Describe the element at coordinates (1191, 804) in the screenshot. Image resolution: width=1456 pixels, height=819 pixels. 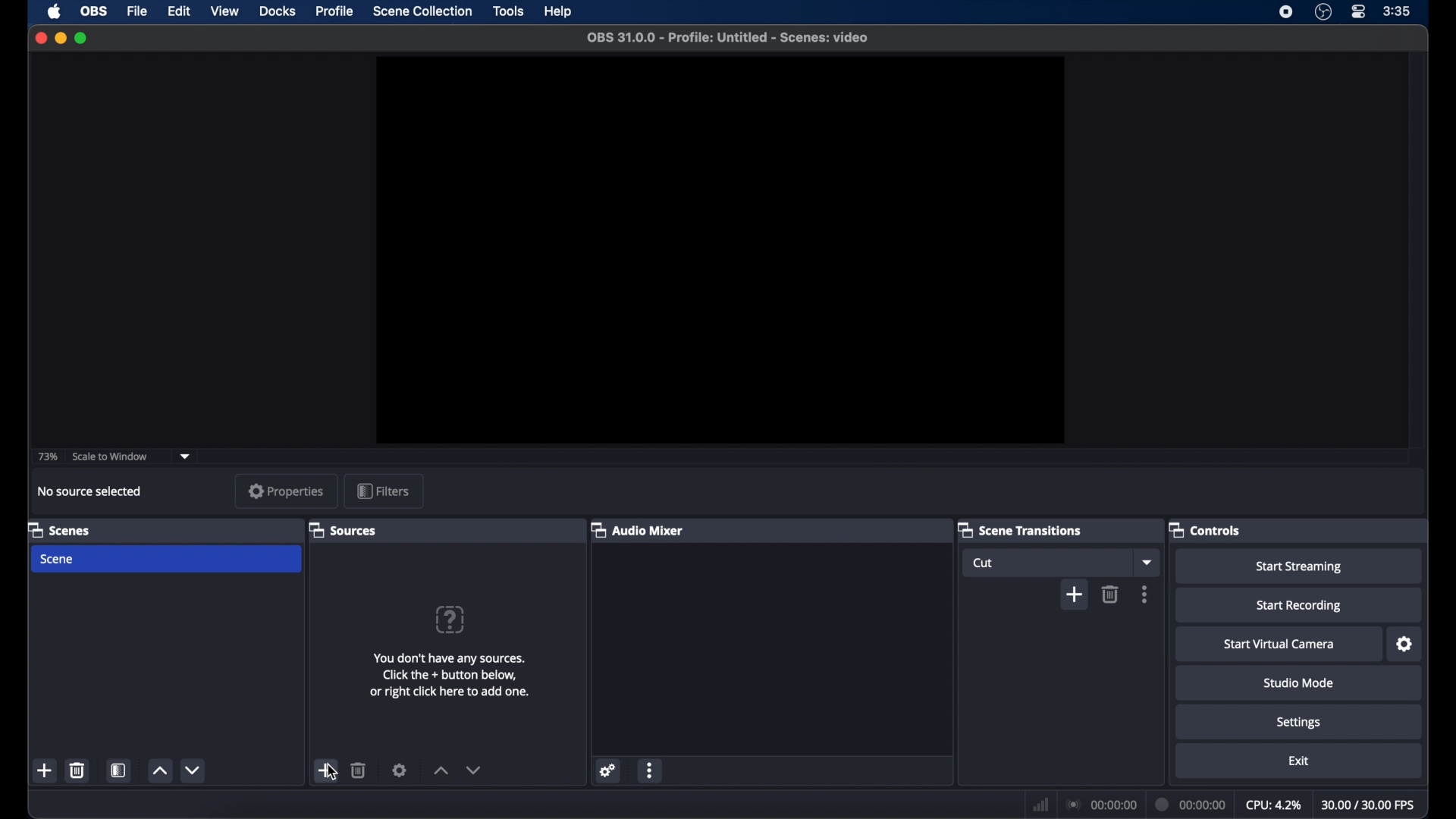
I see `duration` at that location.